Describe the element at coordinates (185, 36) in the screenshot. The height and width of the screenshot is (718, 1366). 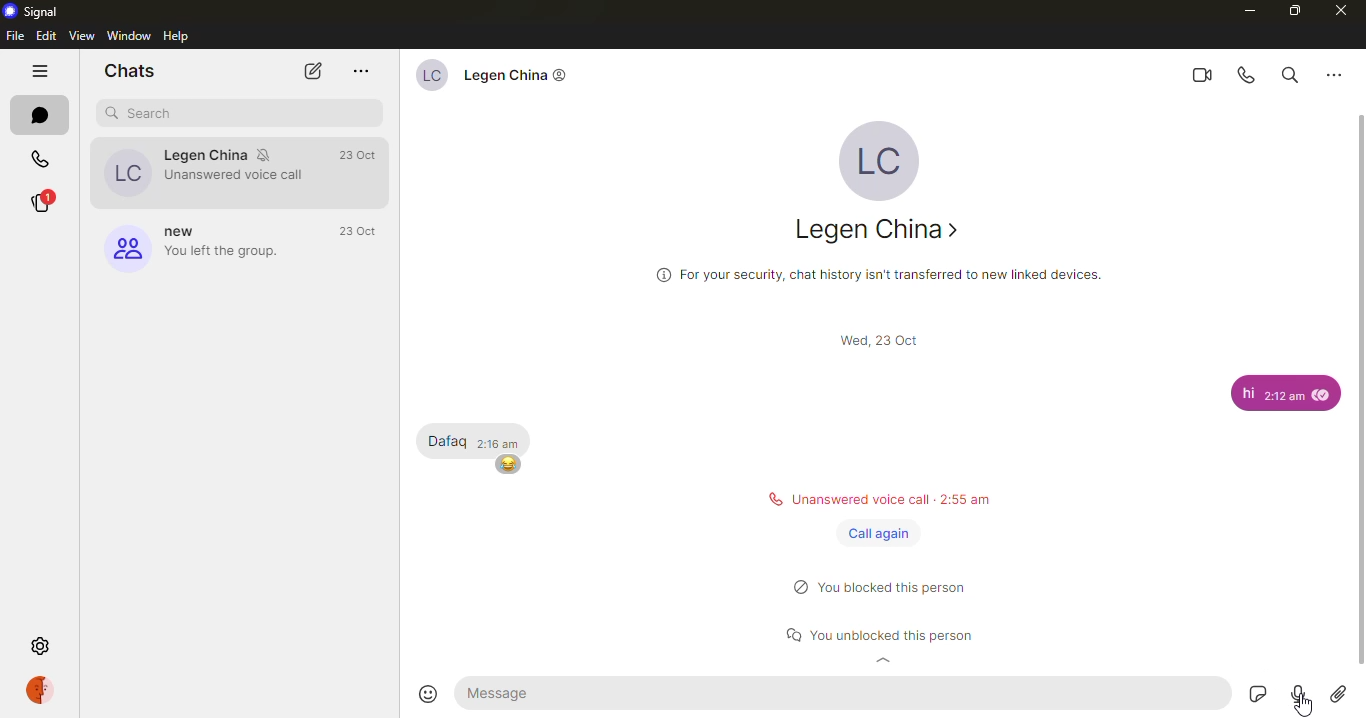
I see `help` at that location.